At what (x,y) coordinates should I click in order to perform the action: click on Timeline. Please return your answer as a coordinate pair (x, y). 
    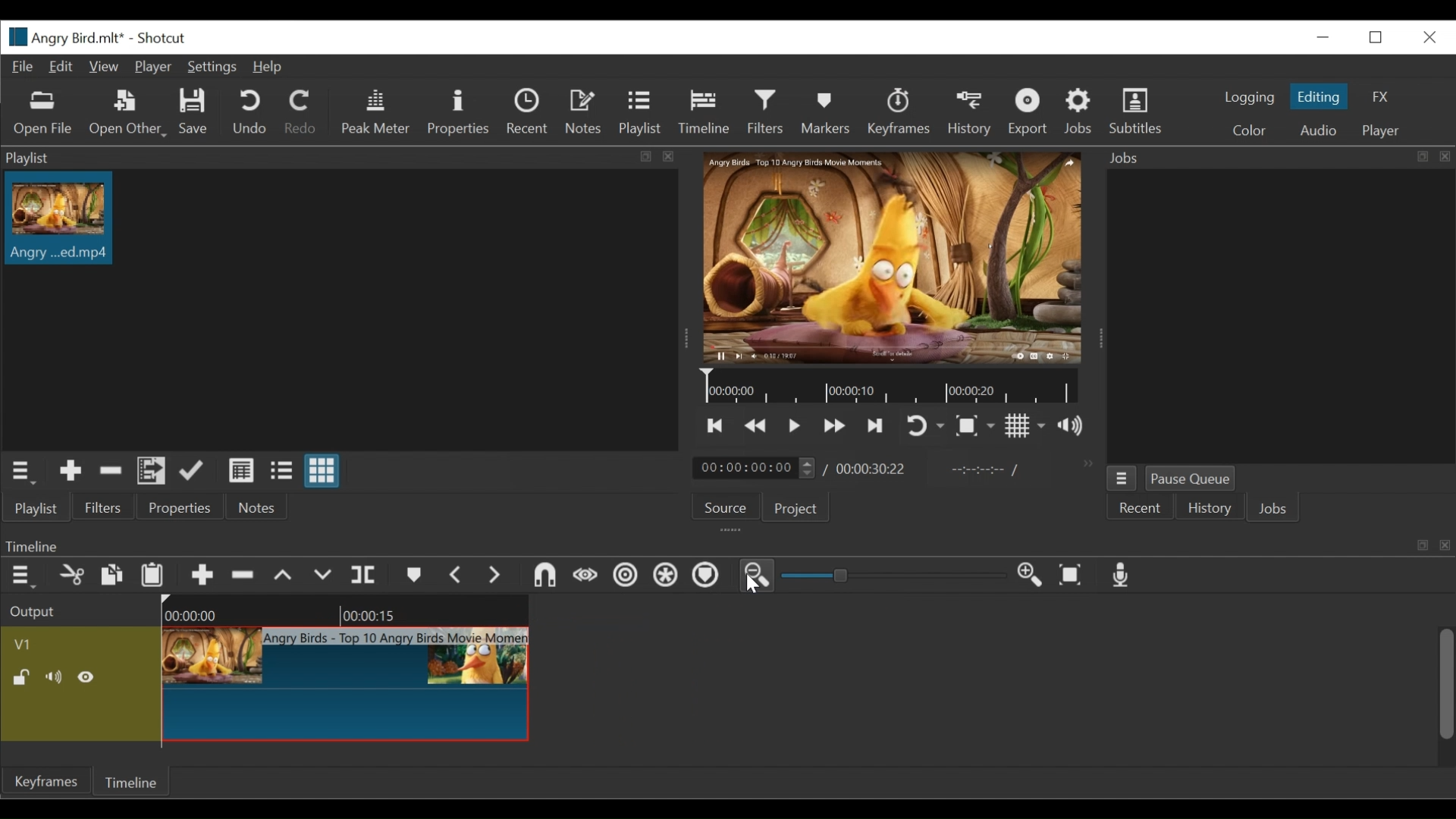
    Looking at the image, I should click on (893, 386).